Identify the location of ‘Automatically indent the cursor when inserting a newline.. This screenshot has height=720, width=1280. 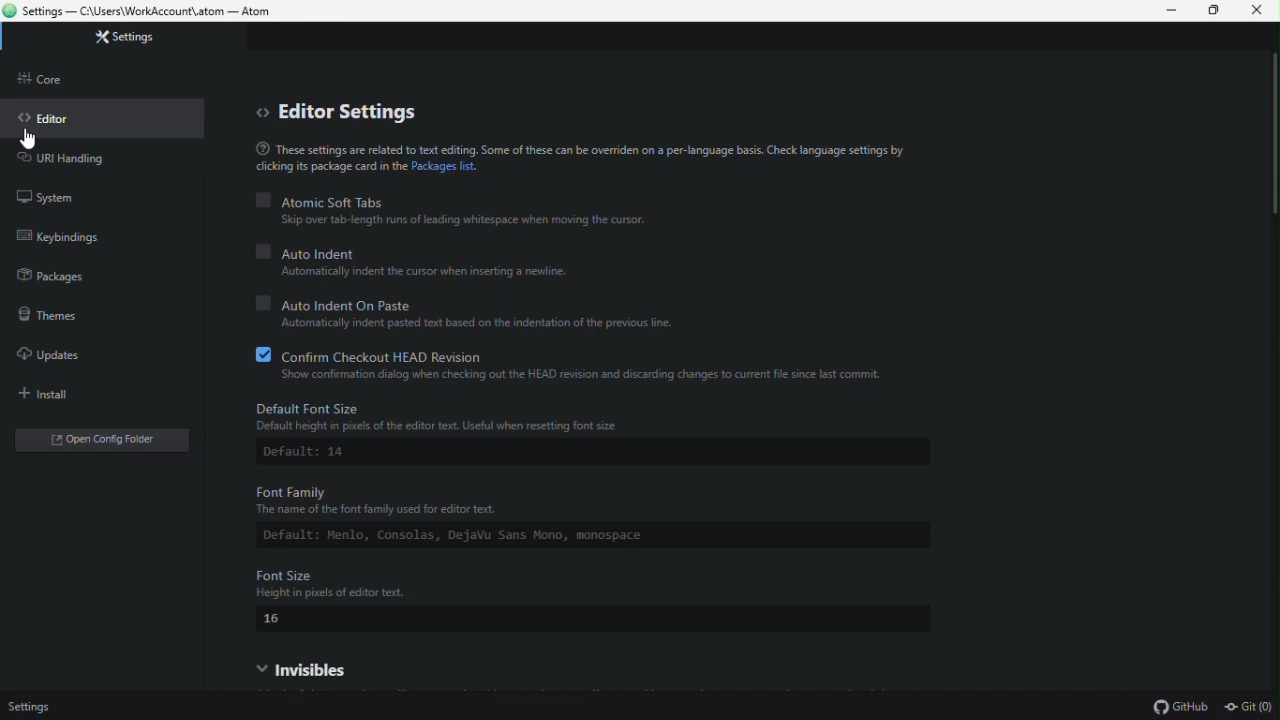
(438, 274).